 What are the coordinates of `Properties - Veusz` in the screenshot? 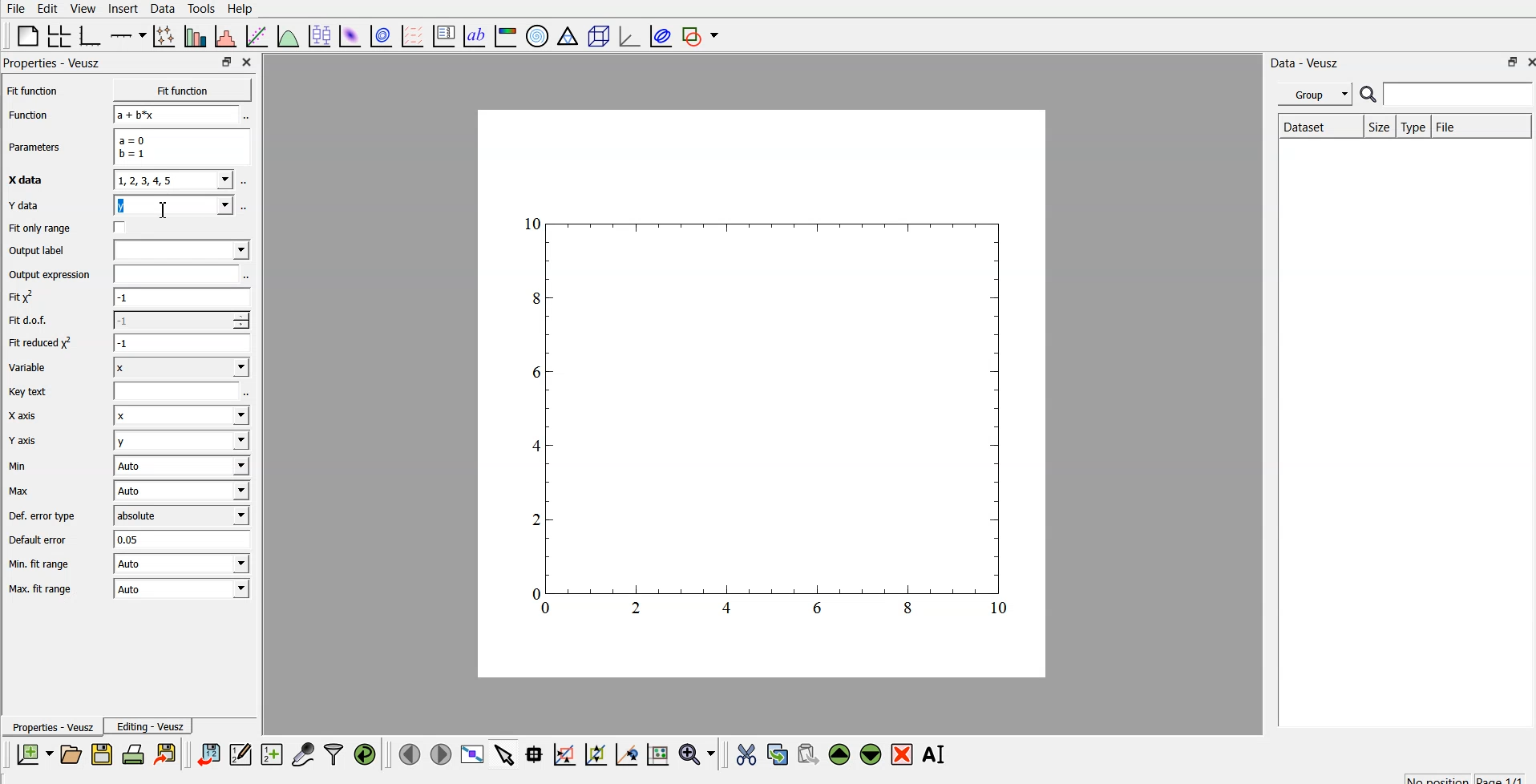 It's located at (55, 64).